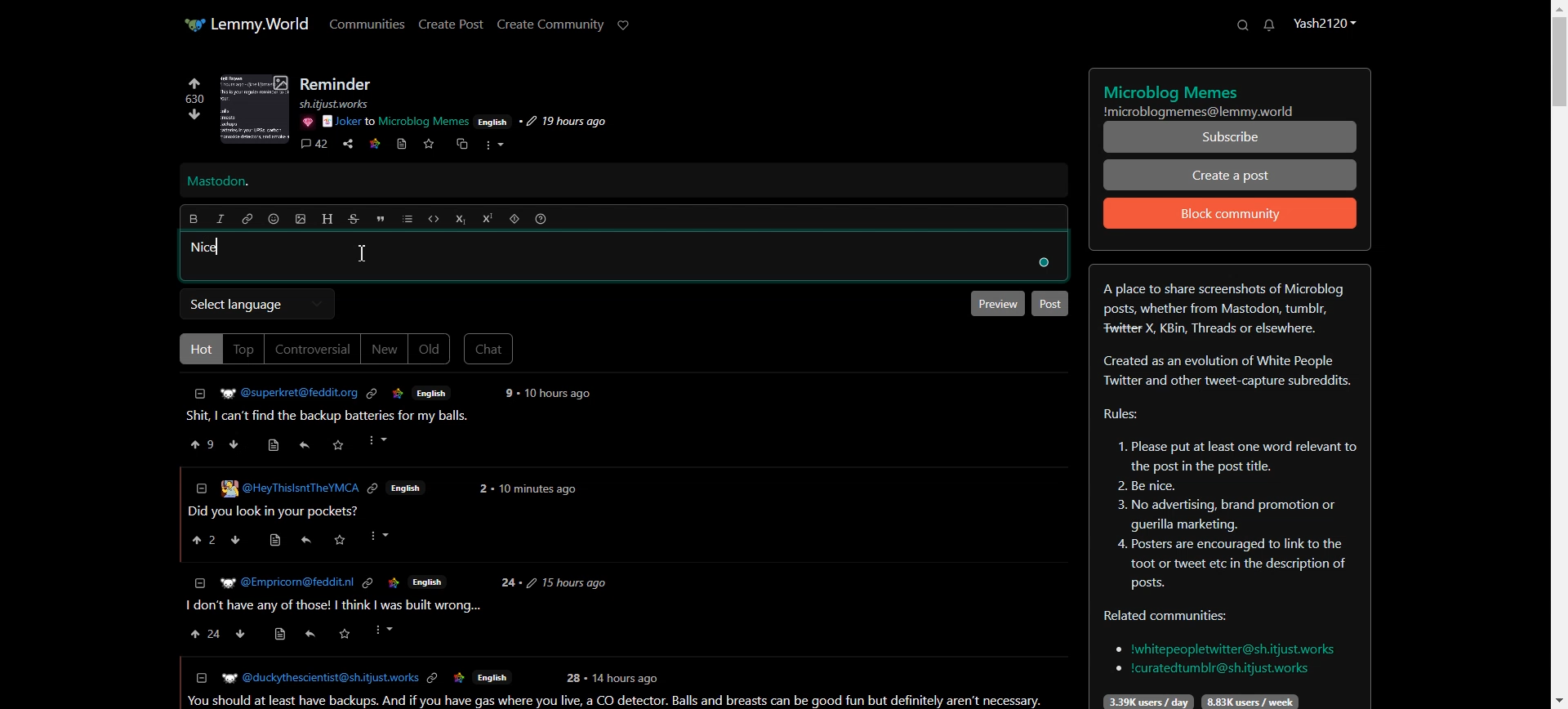 The width and height of the screenshot is (1568, 709). What do you see at coordinates (432, 392) in the screenshot?
I see `English` at bounding box center [432, 392].